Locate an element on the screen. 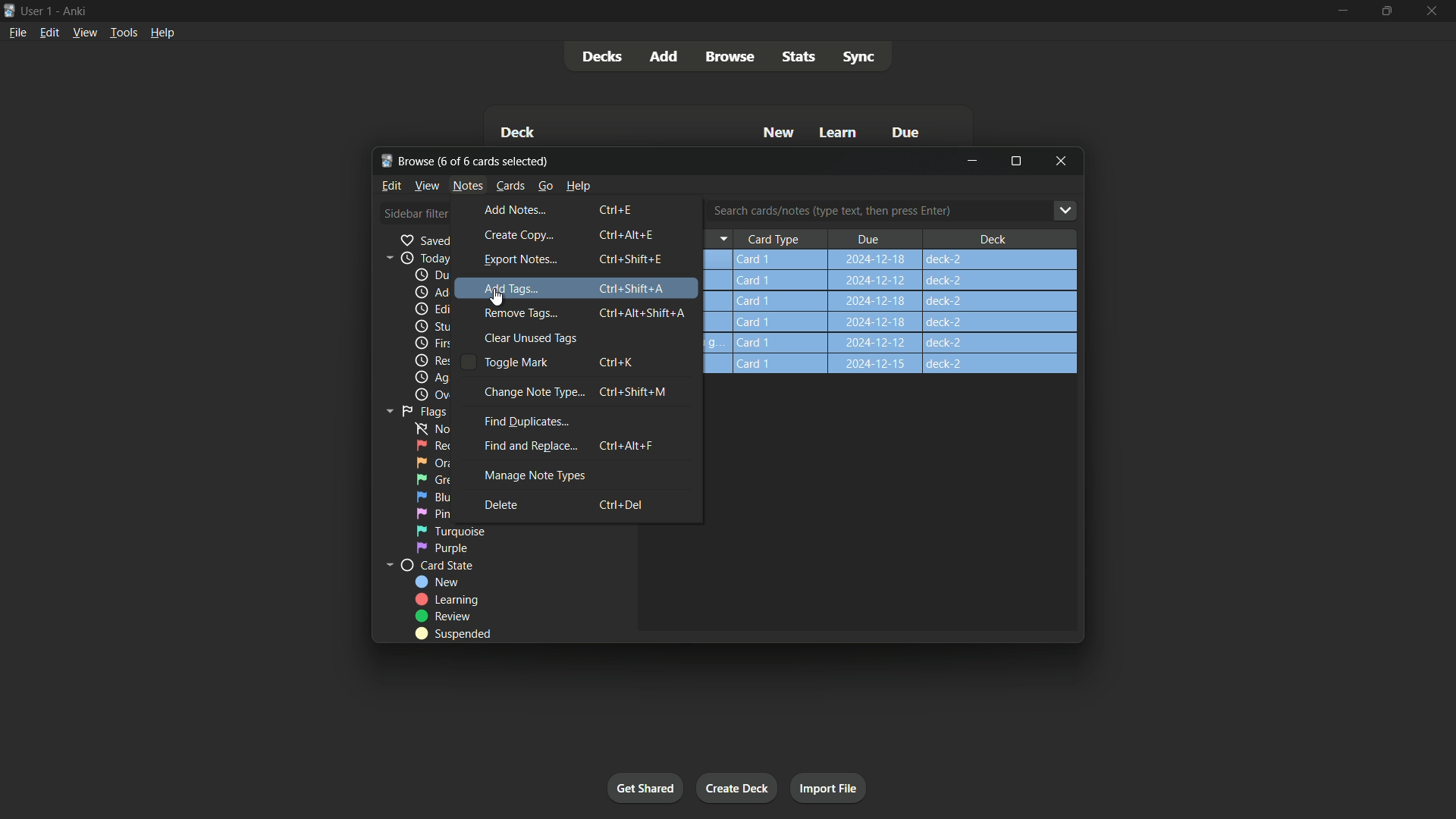 The image size is (1456, 819). Deck is located at coordinates (992, 238).